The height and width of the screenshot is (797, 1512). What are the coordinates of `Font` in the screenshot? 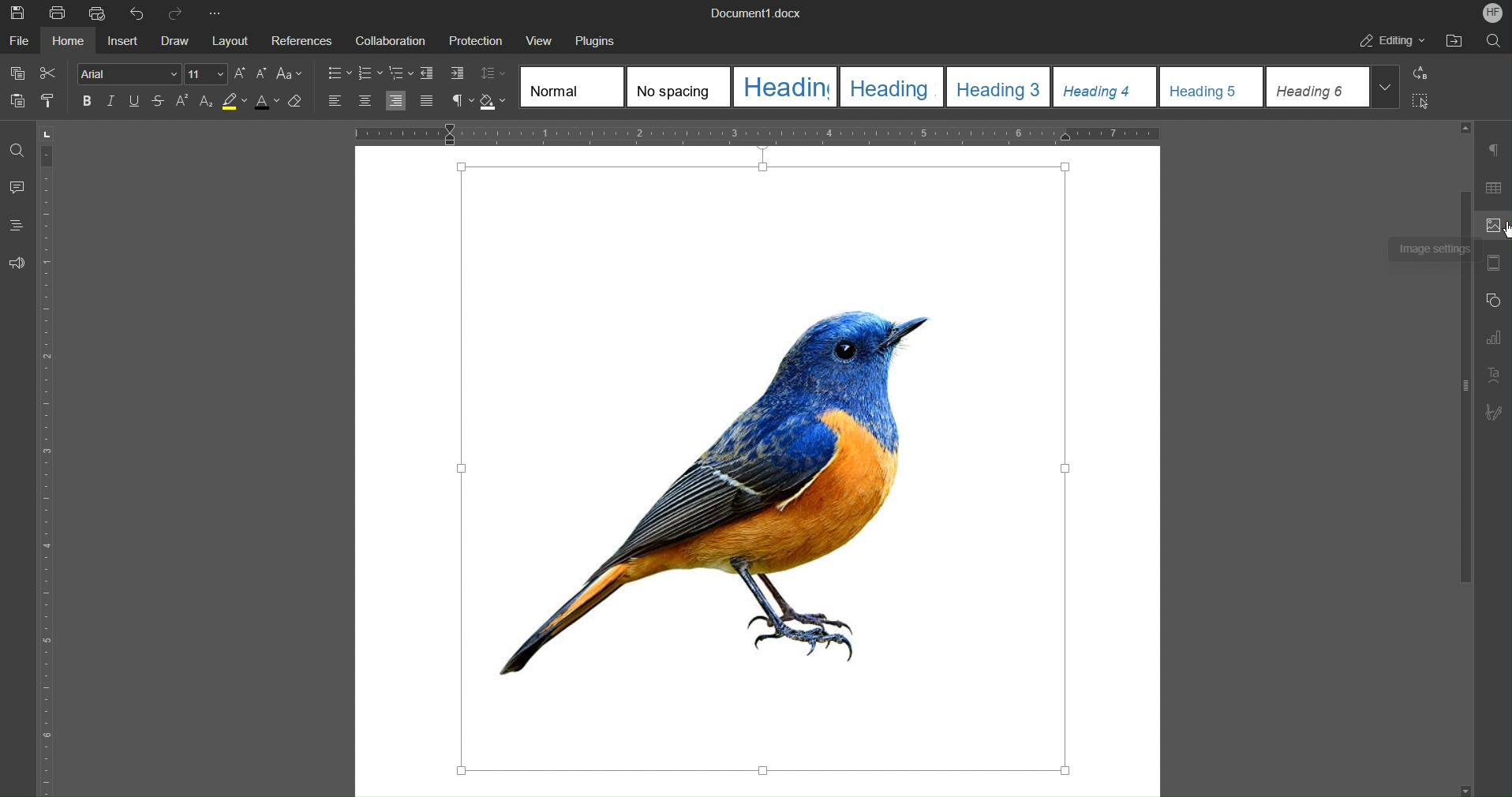 It's located at (129, 73).